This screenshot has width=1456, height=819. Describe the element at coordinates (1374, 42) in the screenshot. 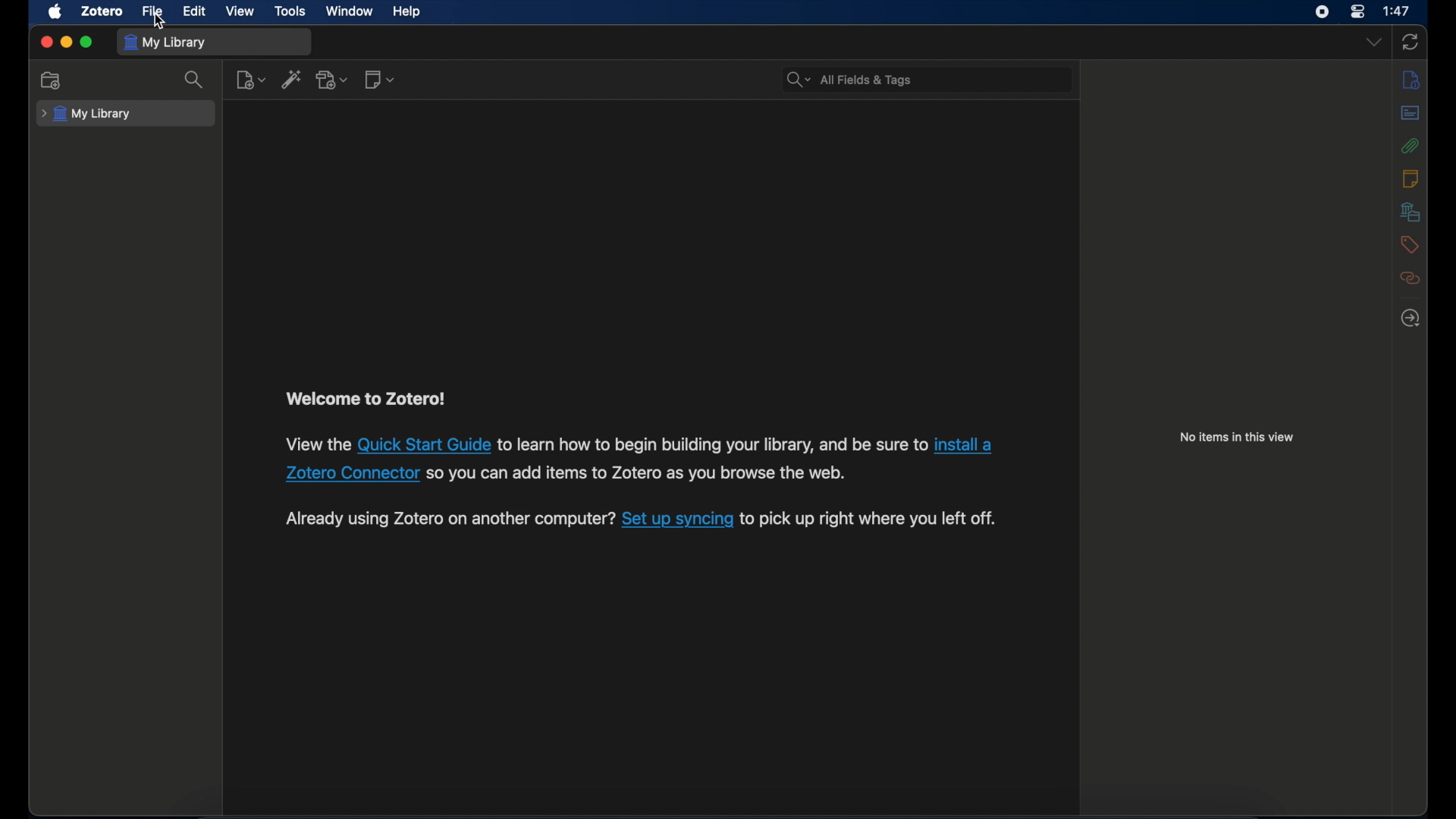

I see `dropdown` at that location.